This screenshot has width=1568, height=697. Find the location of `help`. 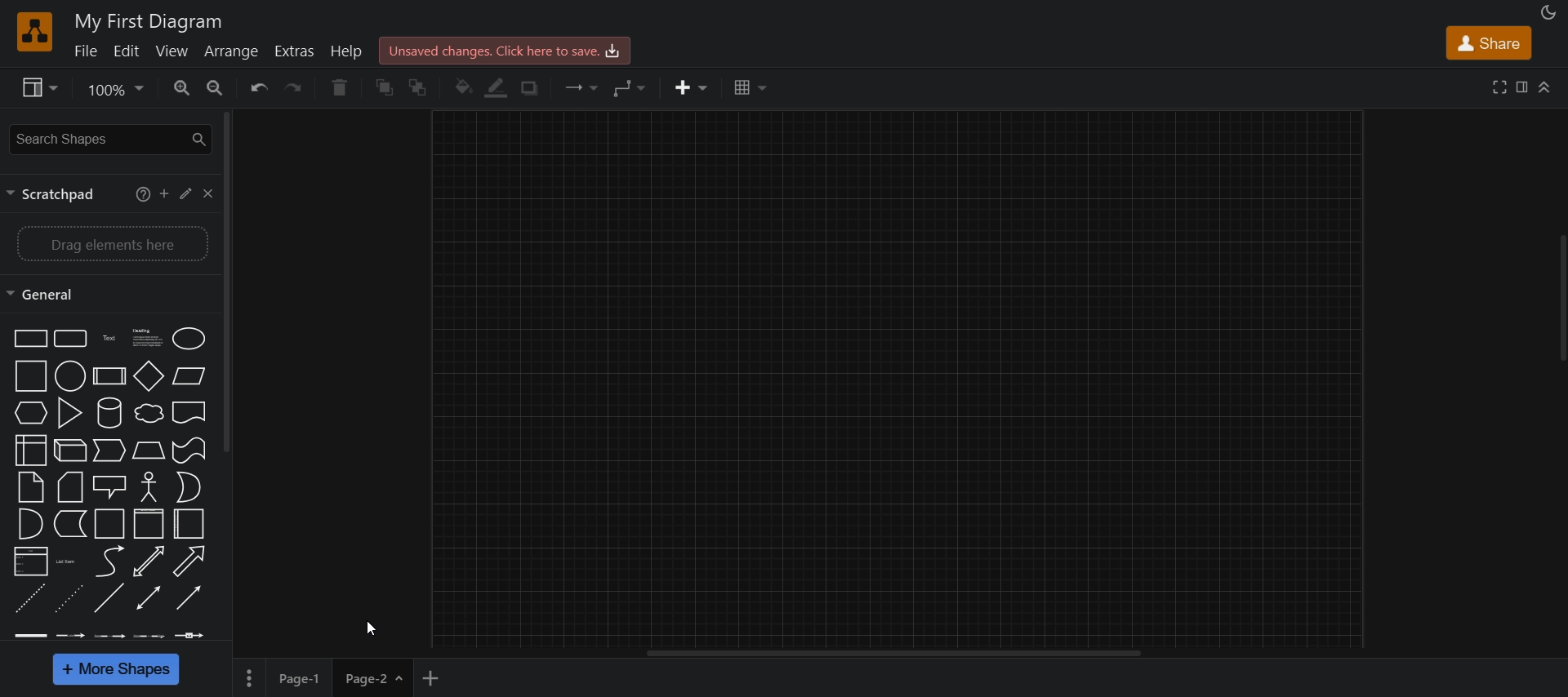

help is located at coordinates (352, 53).